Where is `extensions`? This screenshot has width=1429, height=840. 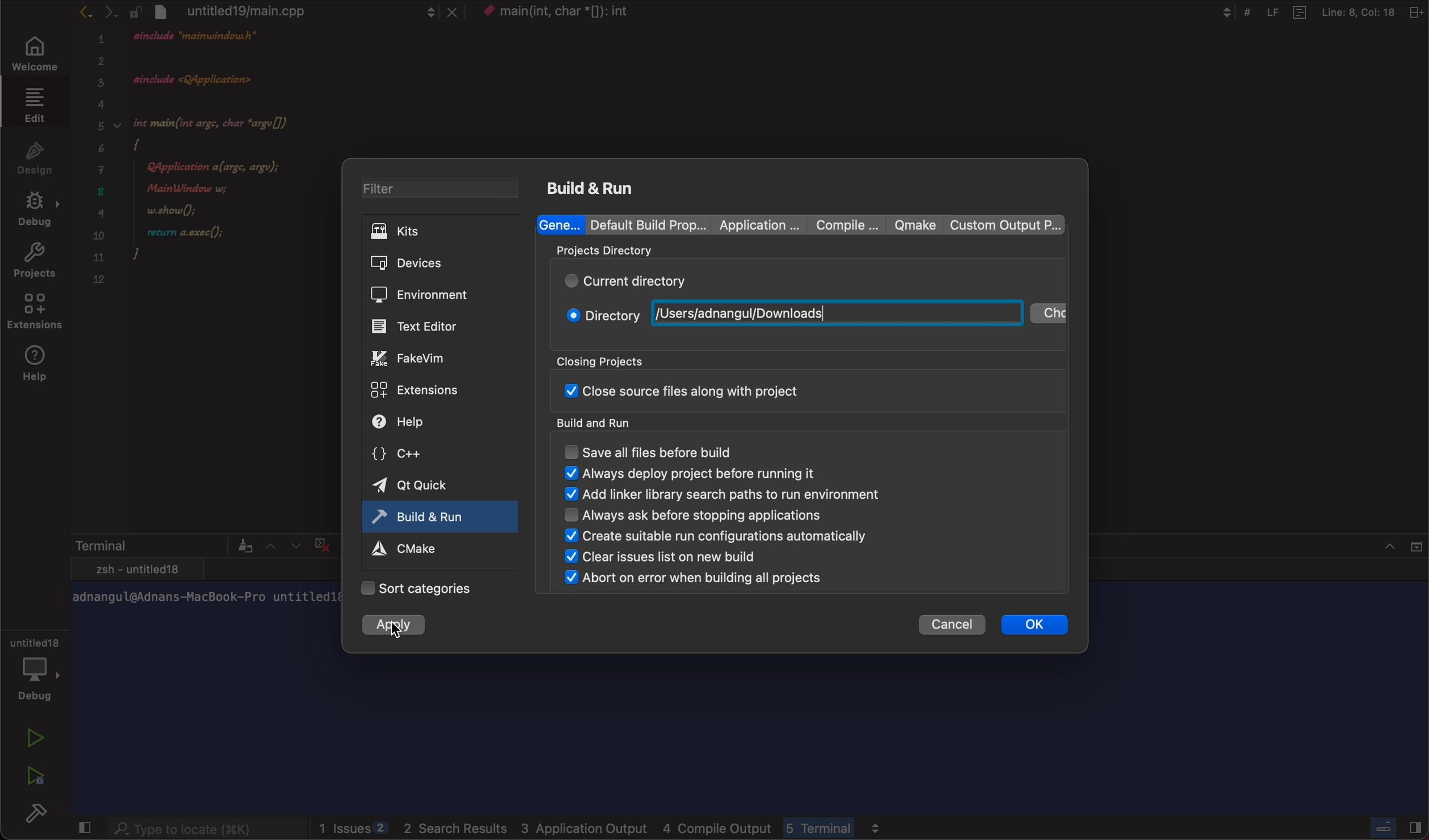
extensions is located at coordinates (419, 391).